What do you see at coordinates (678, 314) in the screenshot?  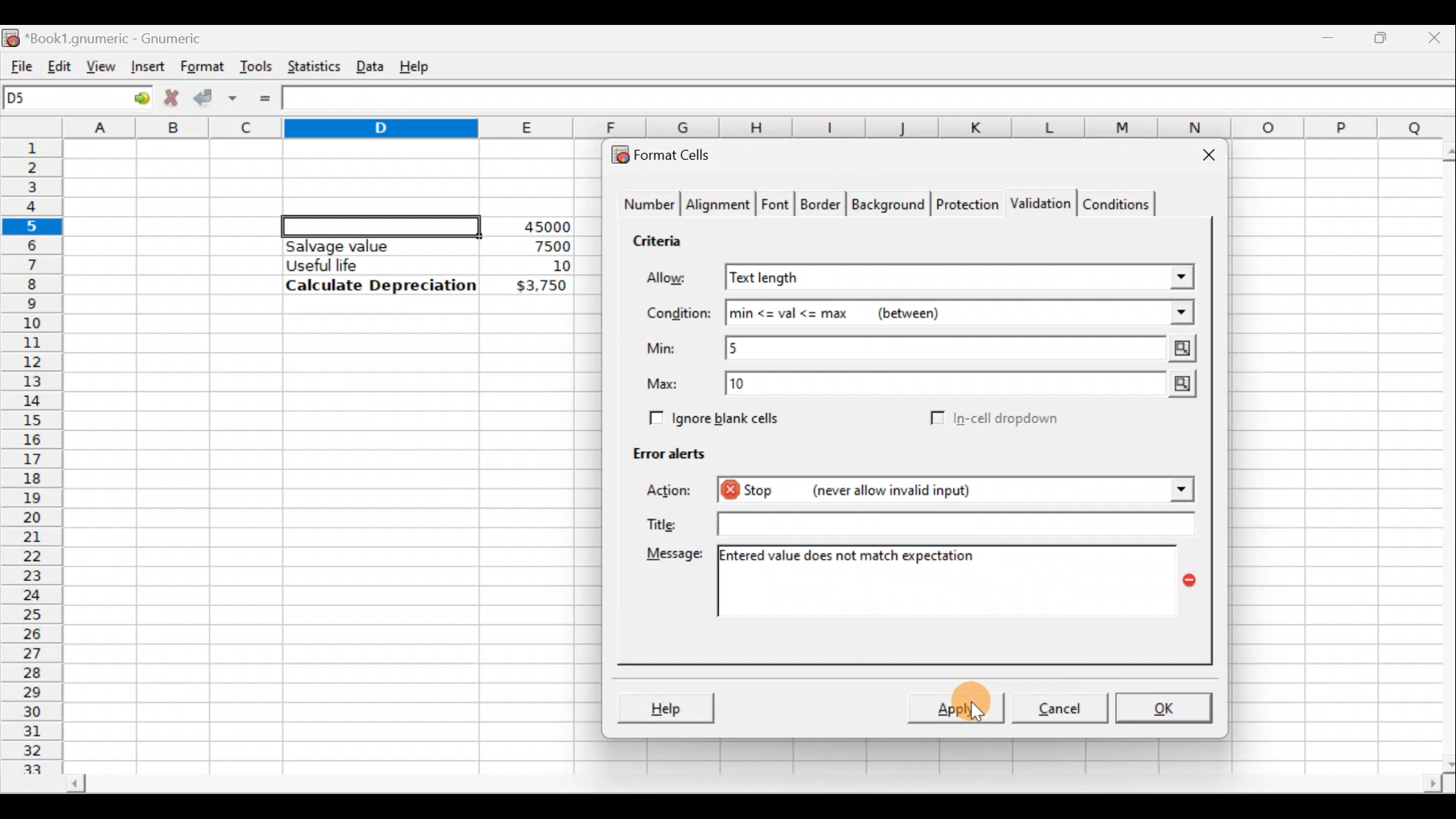 I see `Condition` at bounding box center [678, 314].